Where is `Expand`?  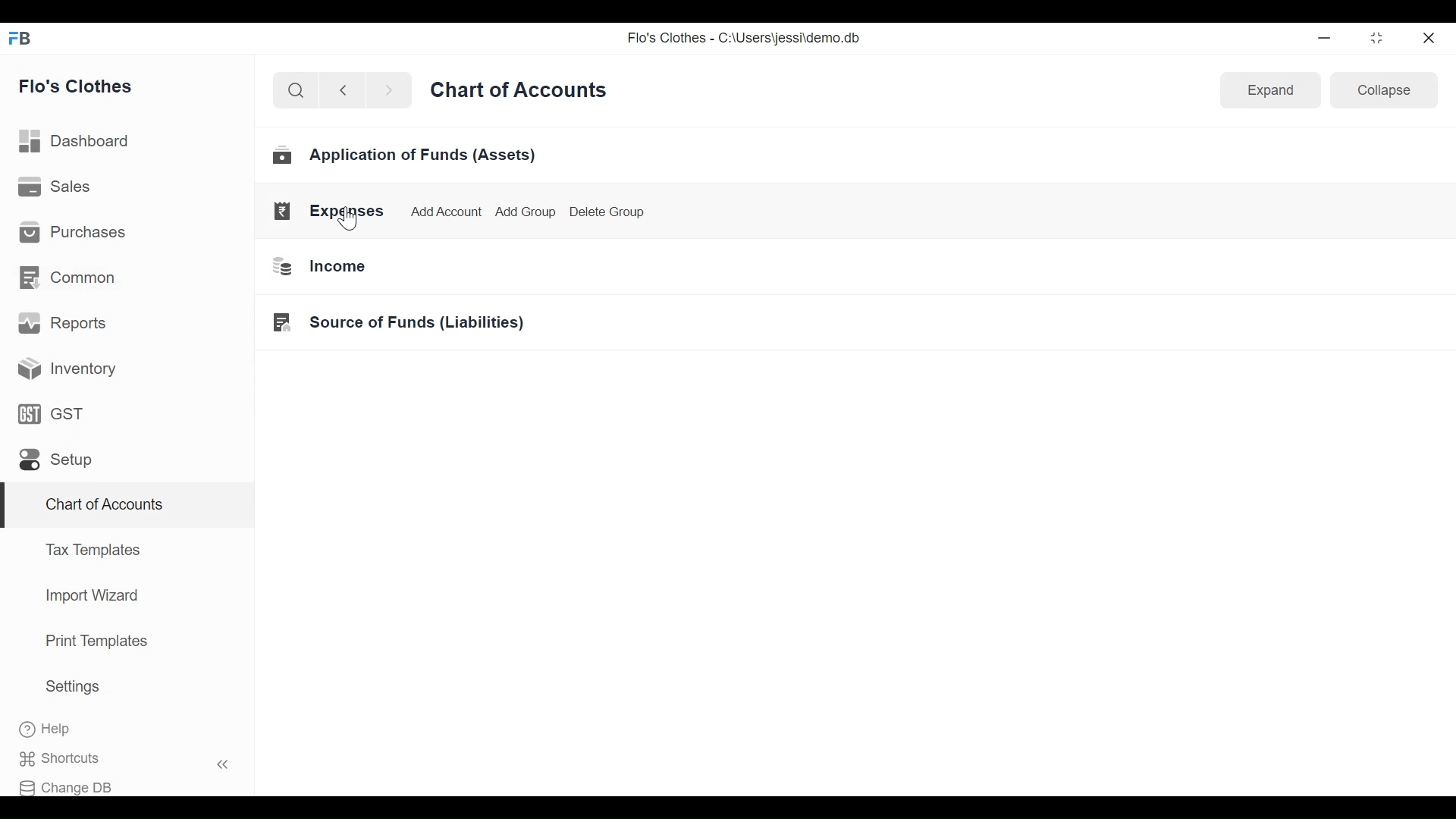
Expand is located at coordinates (1271, 91).